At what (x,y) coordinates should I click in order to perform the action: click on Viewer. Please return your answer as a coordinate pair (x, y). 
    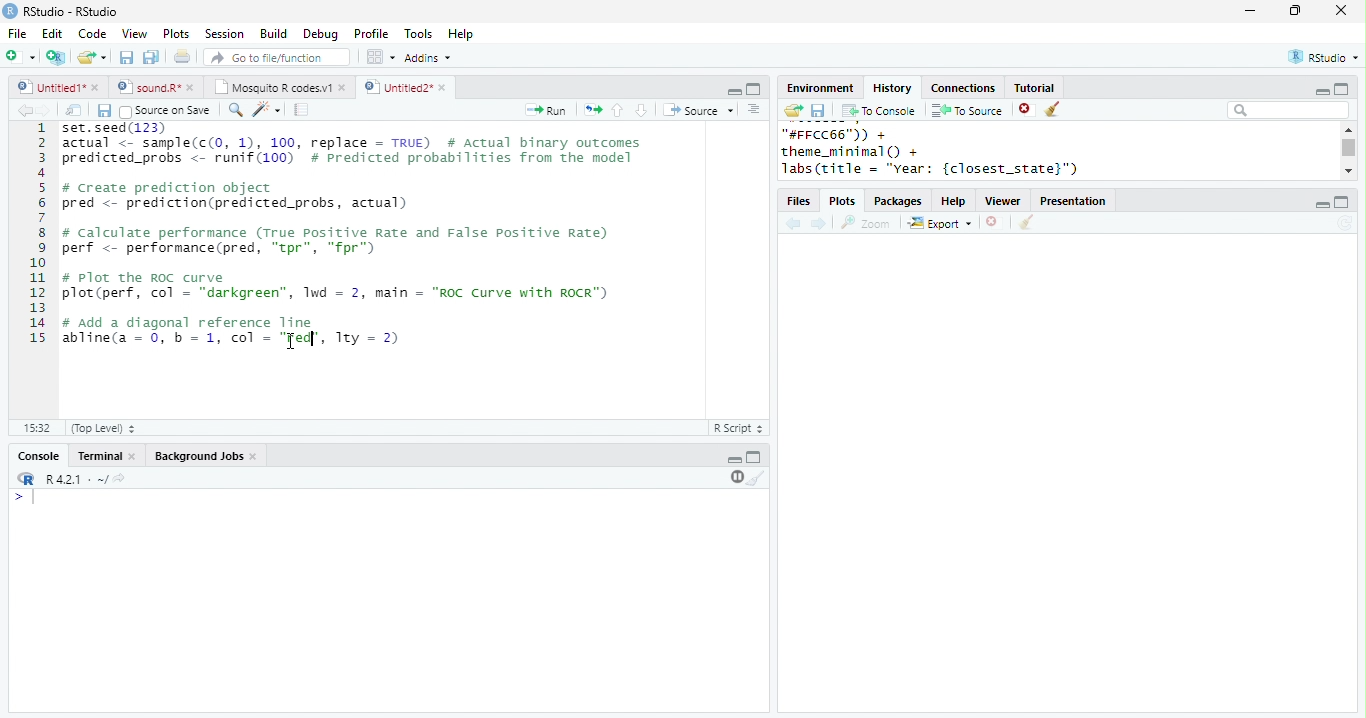
    Looking at the image, I should click on (1004, 202).